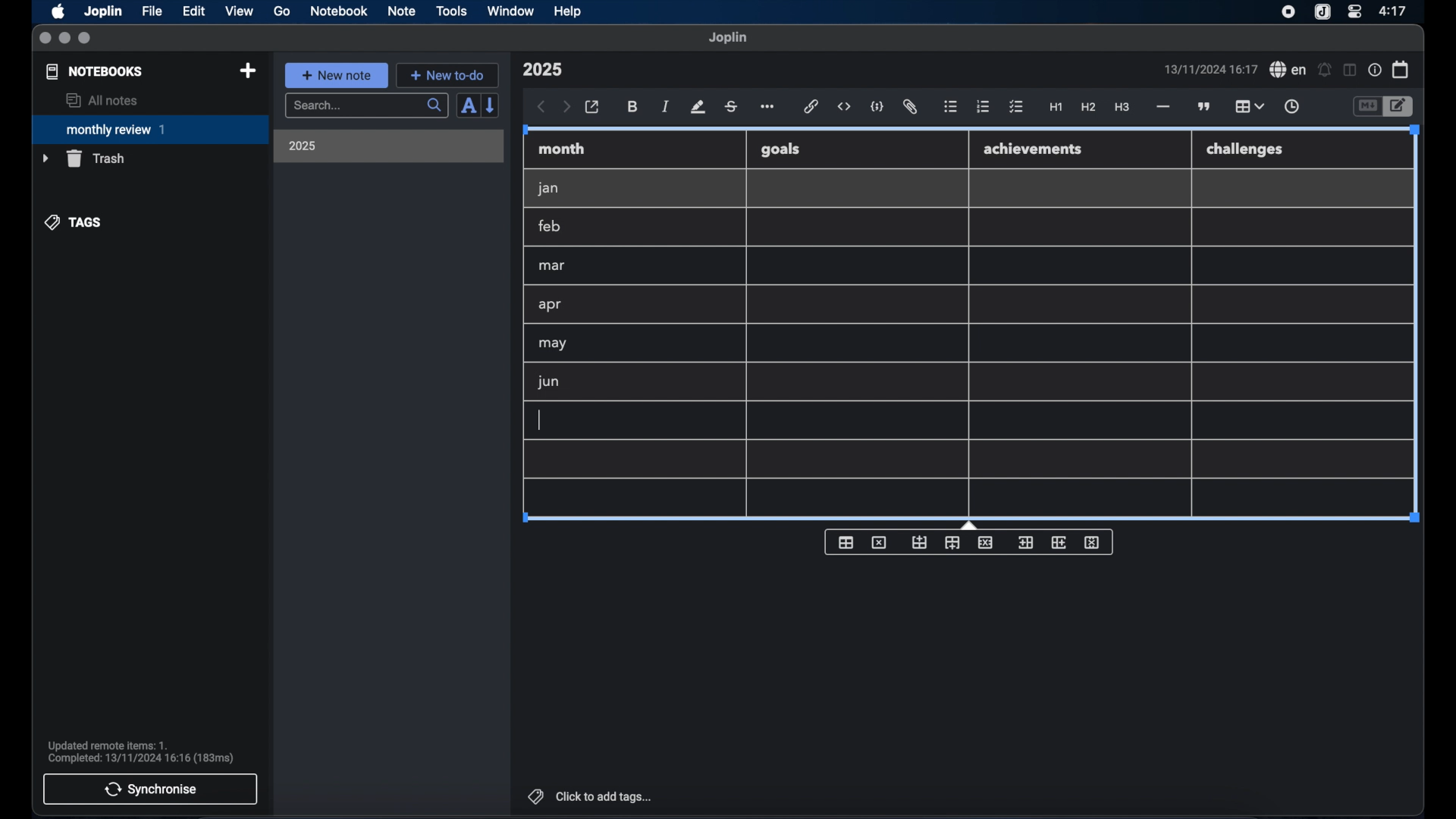 This screenshot has height=819, width=1456. What do you see at coordinates (1056, 108) in the screenshot?
I see `heading 1` at bounding box center [1056, 108].